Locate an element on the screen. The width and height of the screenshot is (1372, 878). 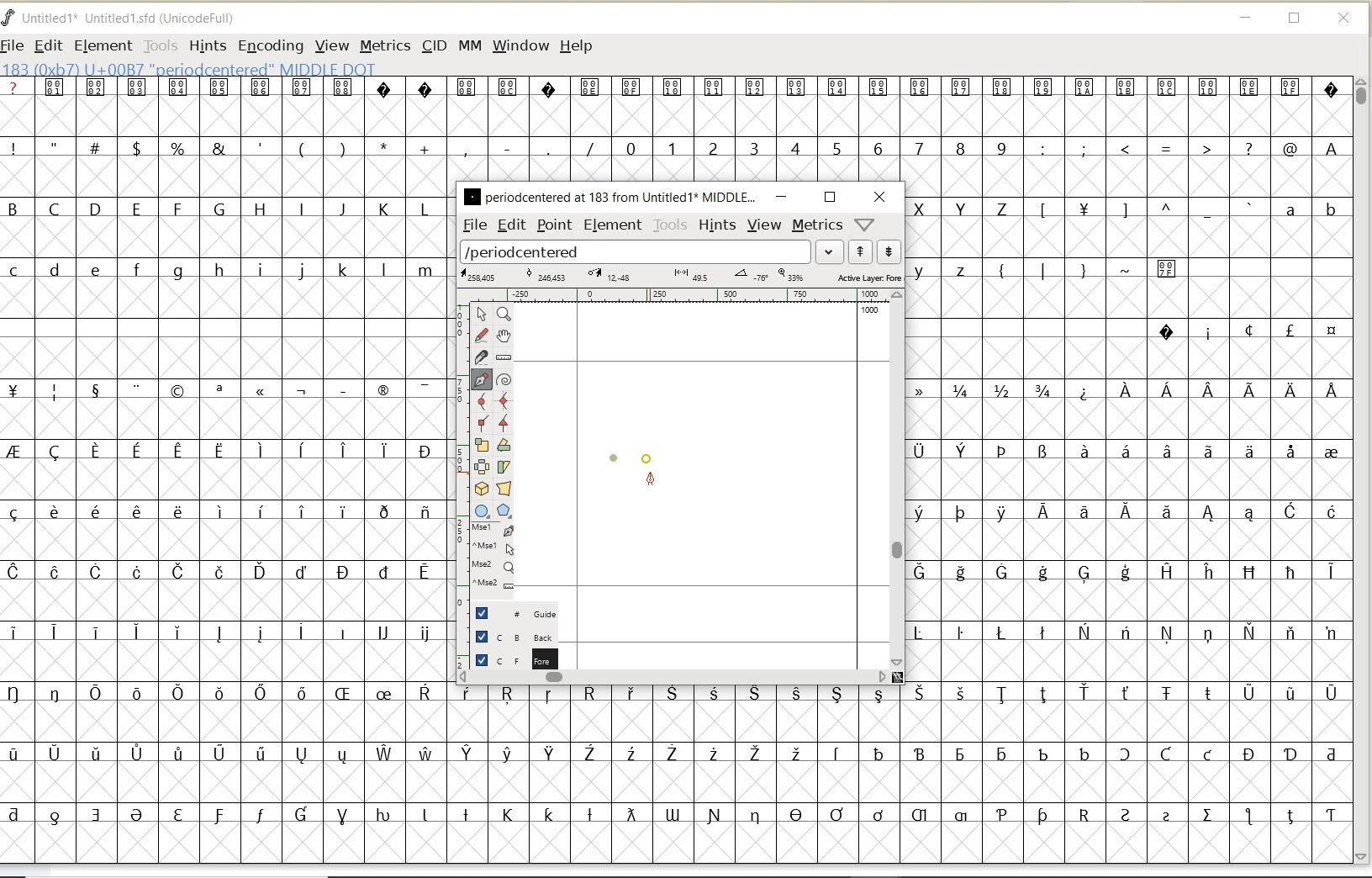
feltpen tool/cursor location is located at coordinates (650, 480).